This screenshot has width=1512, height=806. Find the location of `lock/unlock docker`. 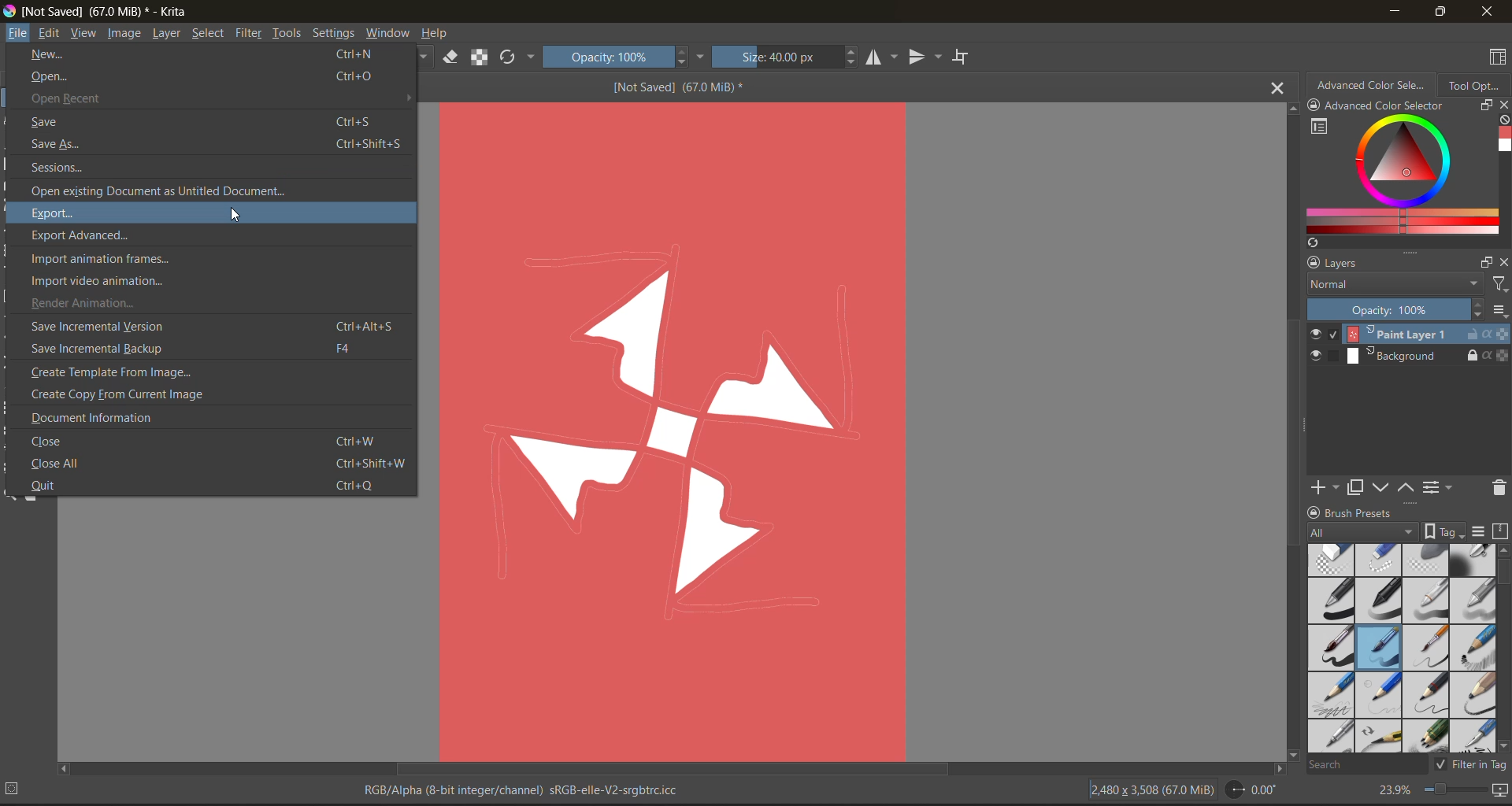

lock/unlock docker is located at coordinates (1317, 106).